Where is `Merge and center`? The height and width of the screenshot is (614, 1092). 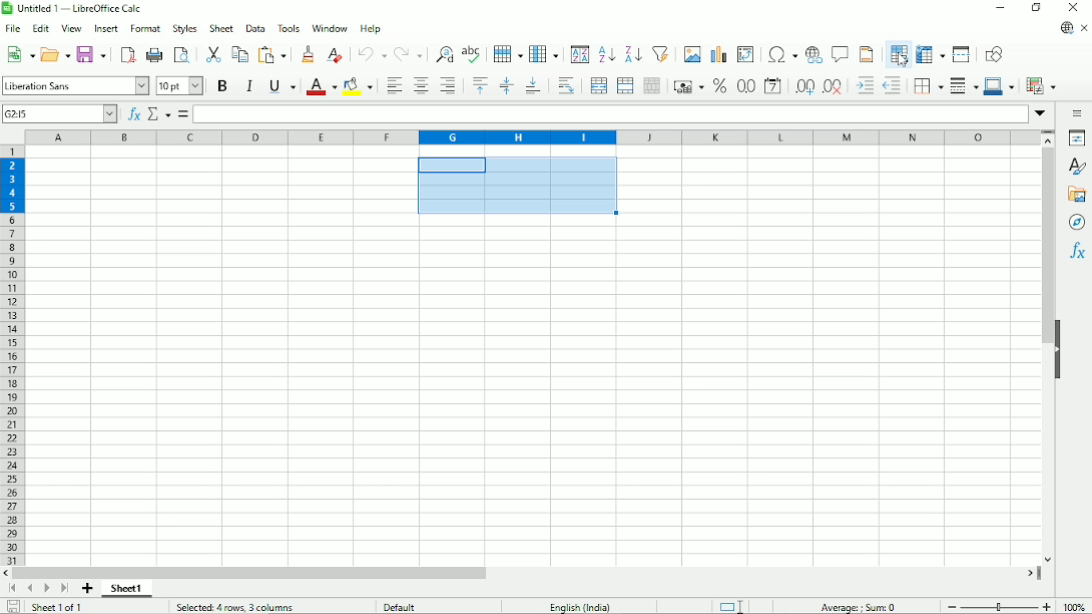
Merge and center is located at coordinates (599, 87).